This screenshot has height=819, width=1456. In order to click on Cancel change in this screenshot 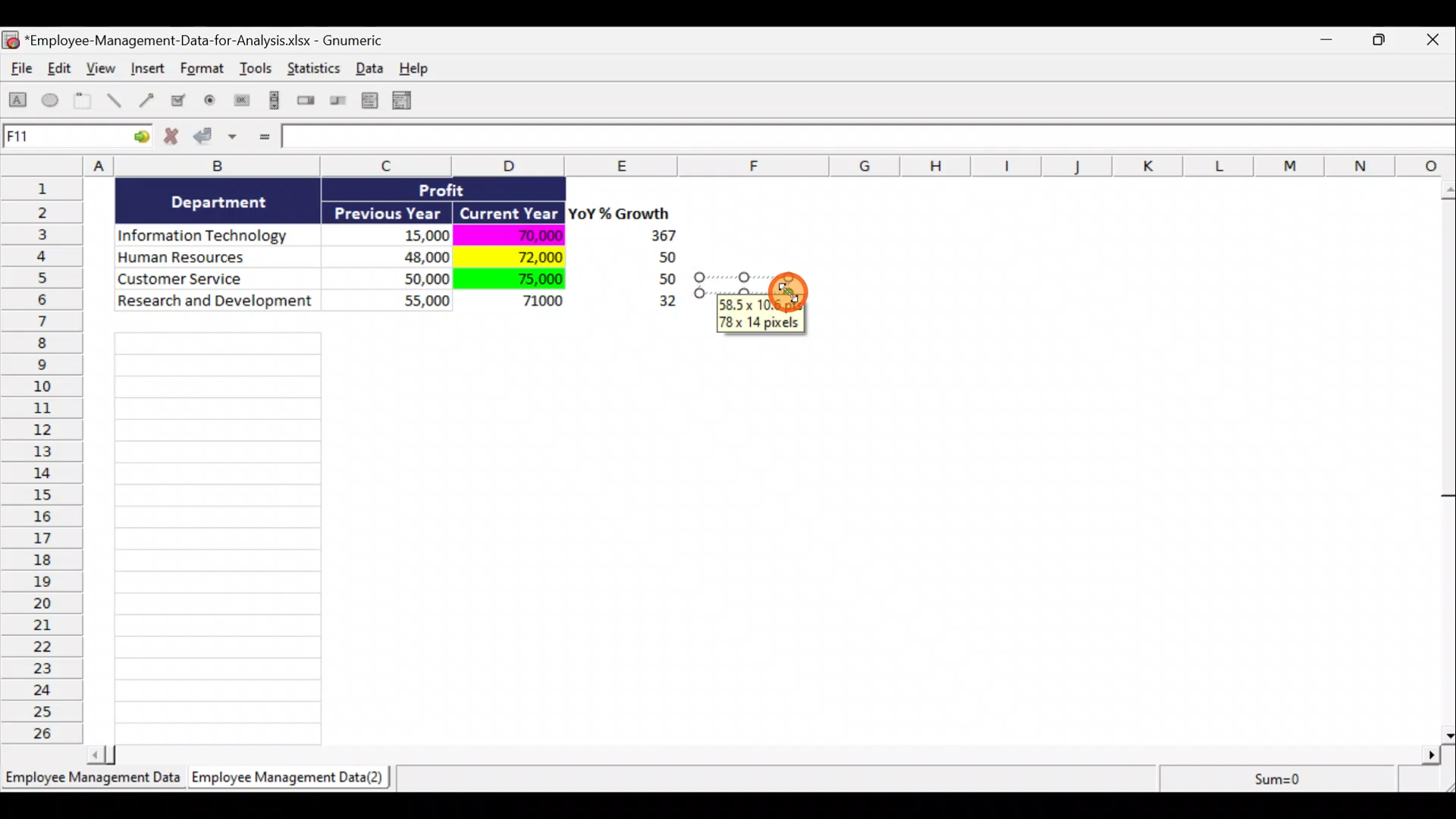, I will do `click(176, 140)`.